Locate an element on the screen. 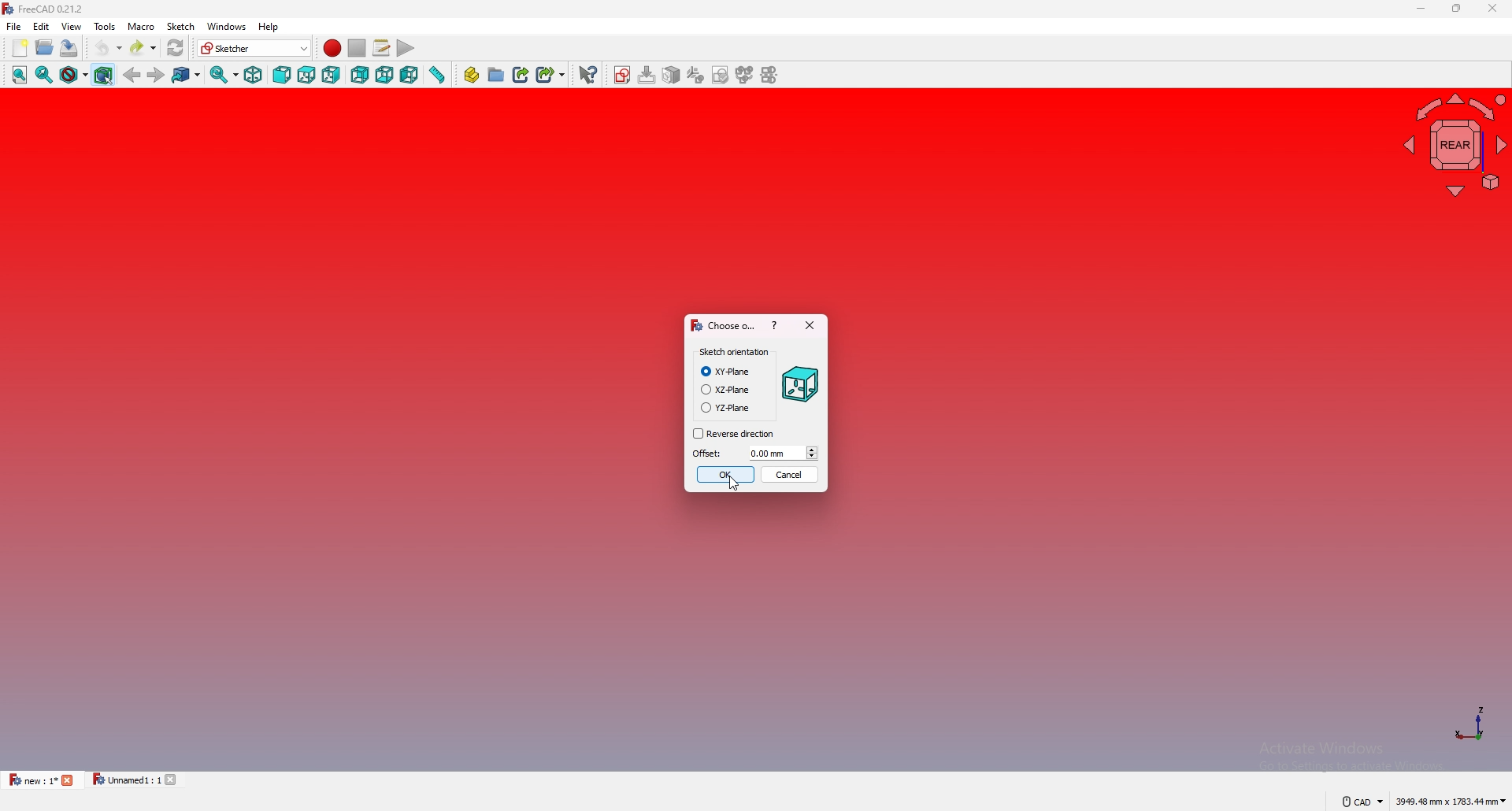 This screenshot has width=1512, height=811. whats this? is located at coordinates (588, 75).